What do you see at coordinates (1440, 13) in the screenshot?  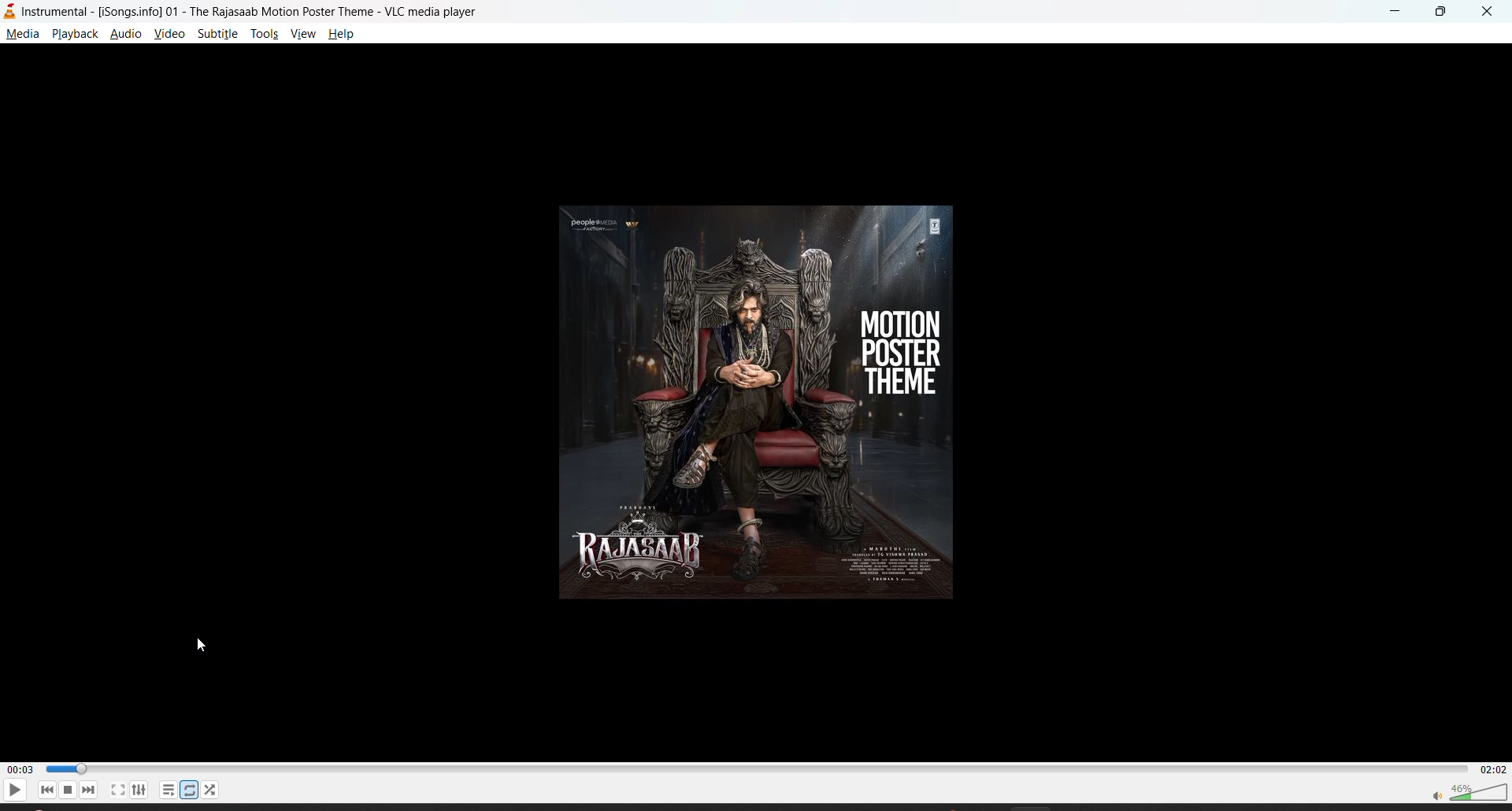 I see `maximize` at bounding box center [1440, 13].